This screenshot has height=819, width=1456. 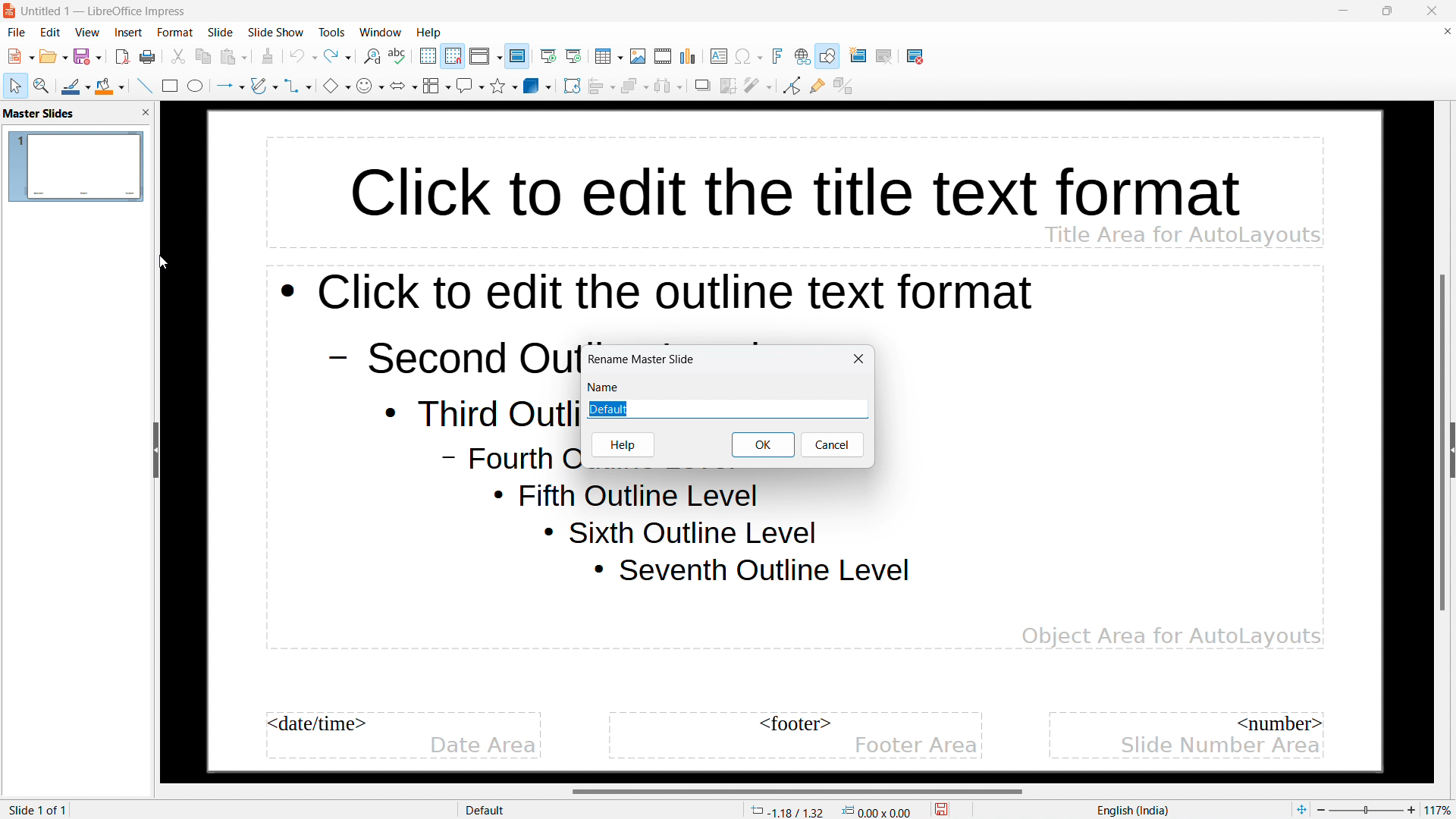 I want to click on select at least three objects to distribute, so click(x=669, y=86).